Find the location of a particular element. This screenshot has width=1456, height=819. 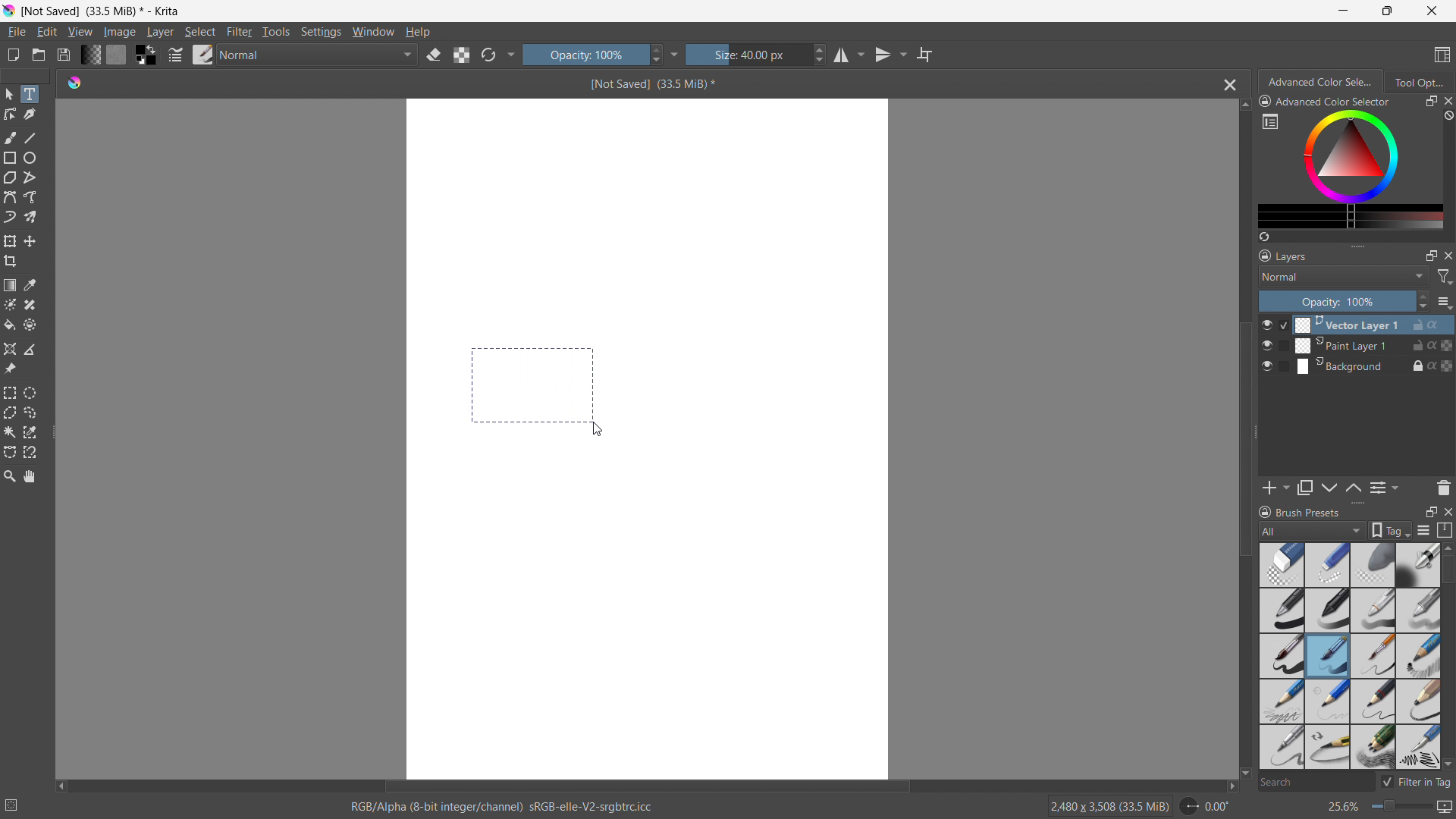

pen is located at coordinates (1328, 610).